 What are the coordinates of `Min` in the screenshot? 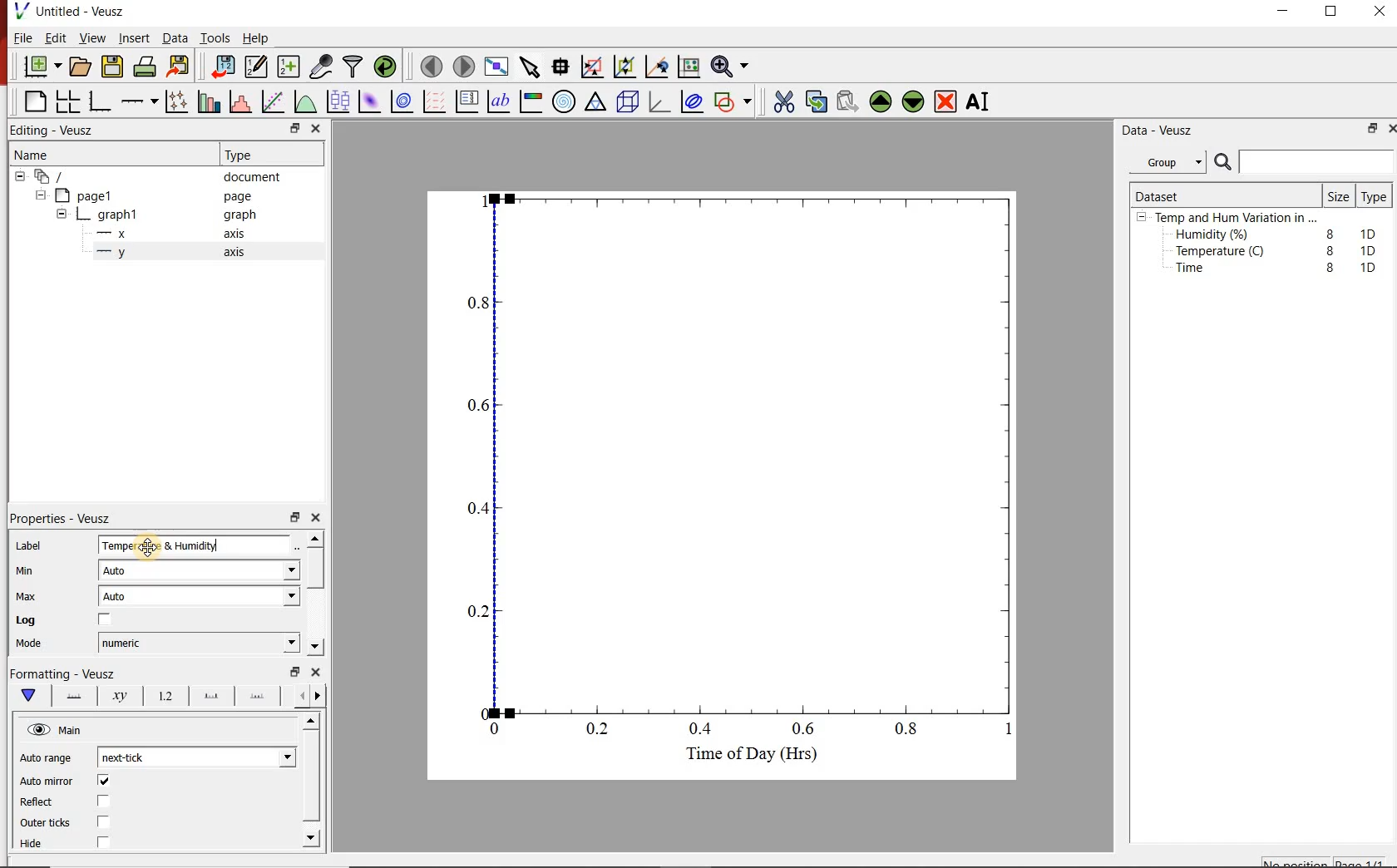 It's located at (37, 570).